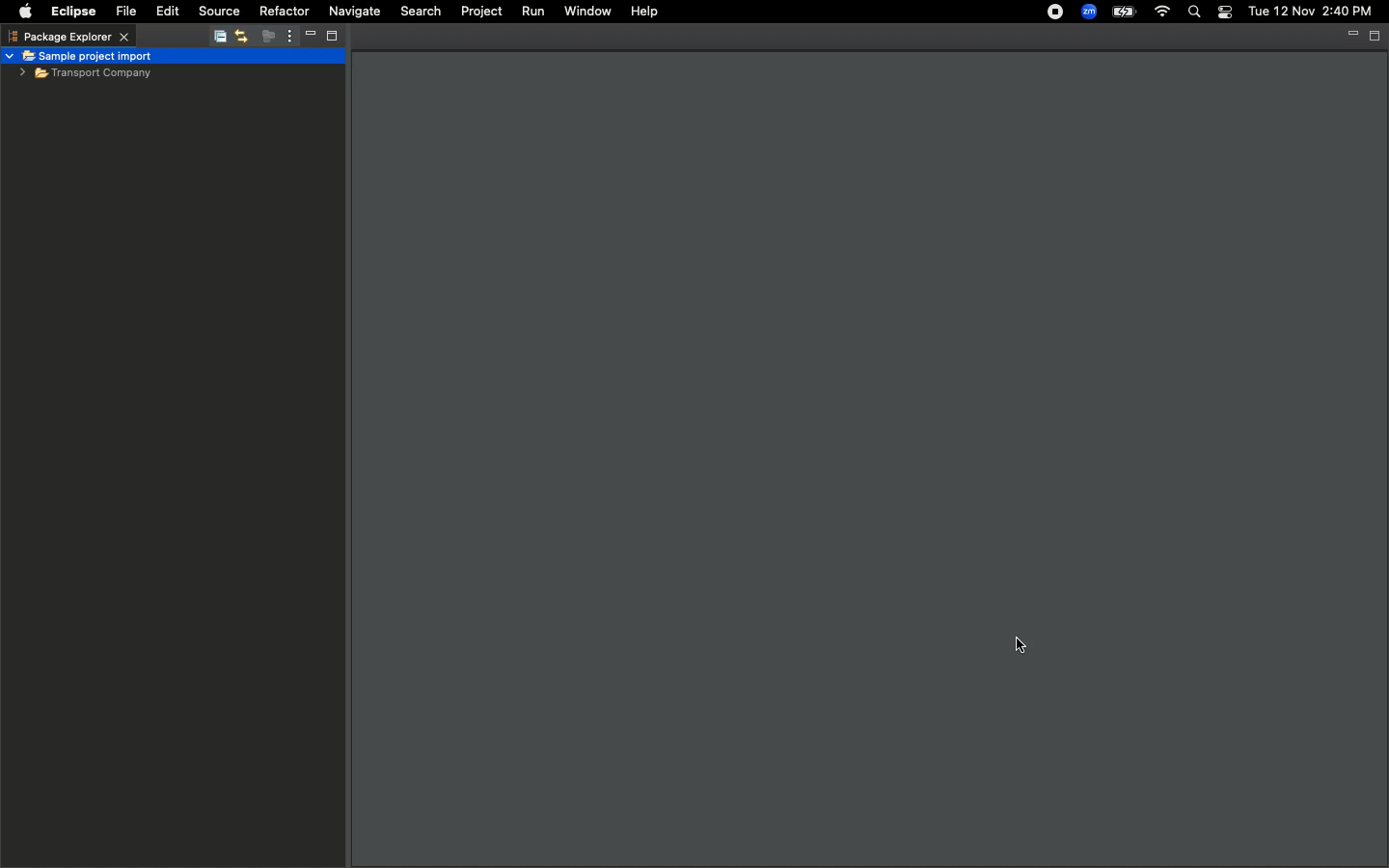 The image size is (1389, 868). Describe the element at coordinates (262, 38) in the screenshot. I see `Focus on active task` at that location.